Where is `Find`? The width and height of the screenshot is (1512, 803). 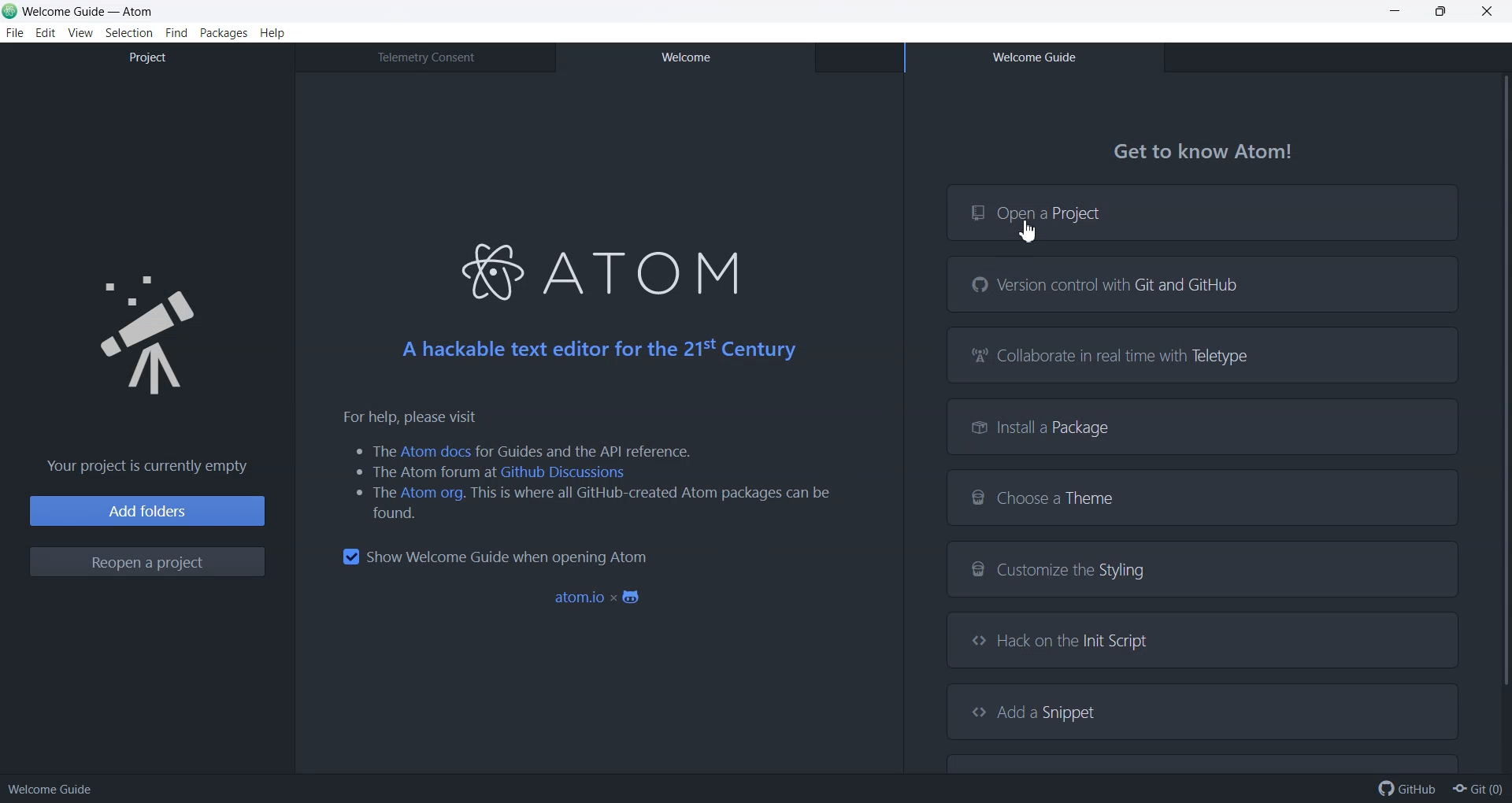 Find is located at coordinates (177, 33).